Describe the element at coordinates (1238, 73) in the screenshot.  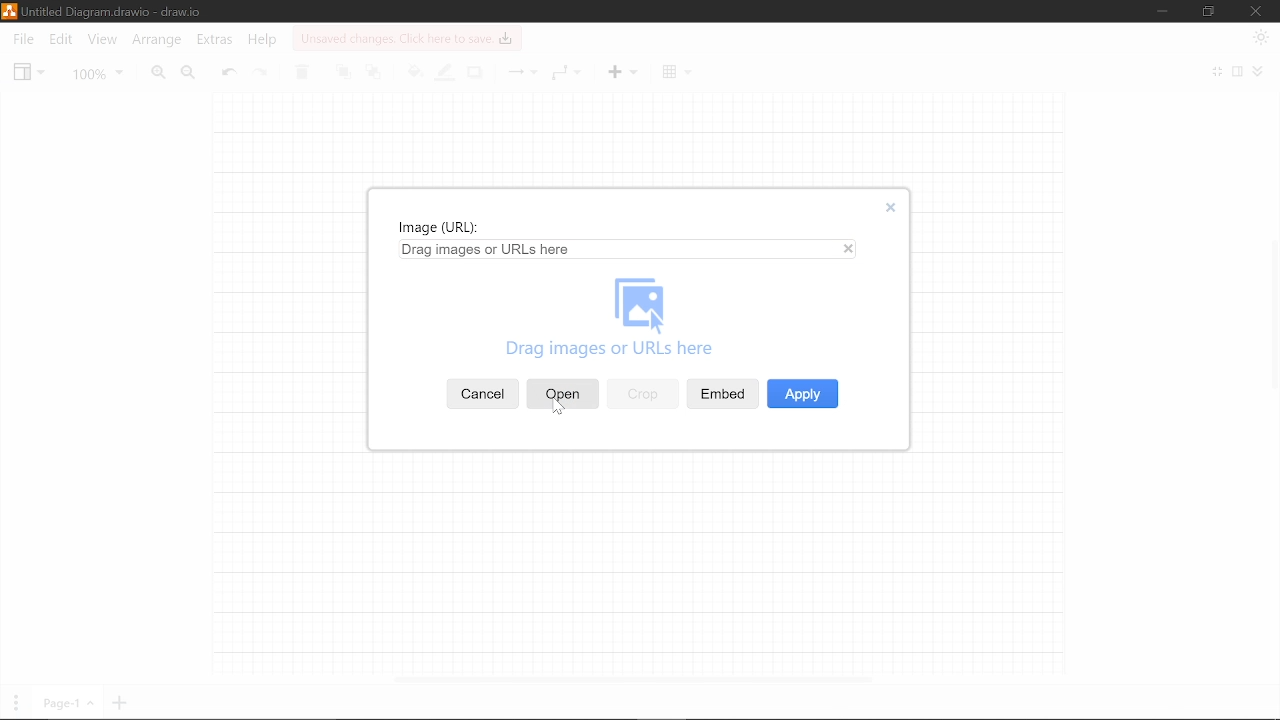
I see `Format` at that location.